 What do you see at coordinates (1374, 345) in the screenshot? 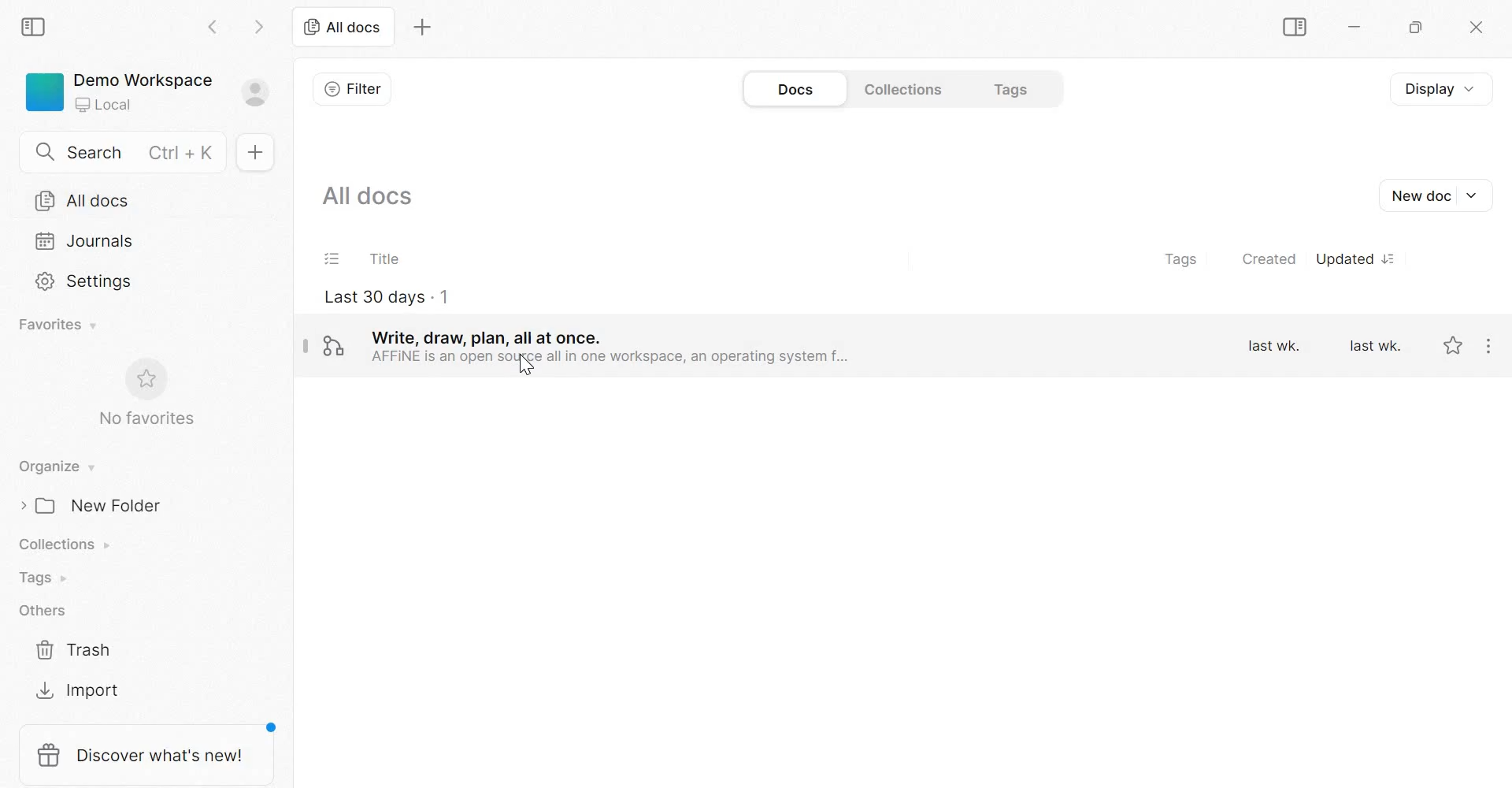
I see `last wk.` at bounding box center [1374, 345].